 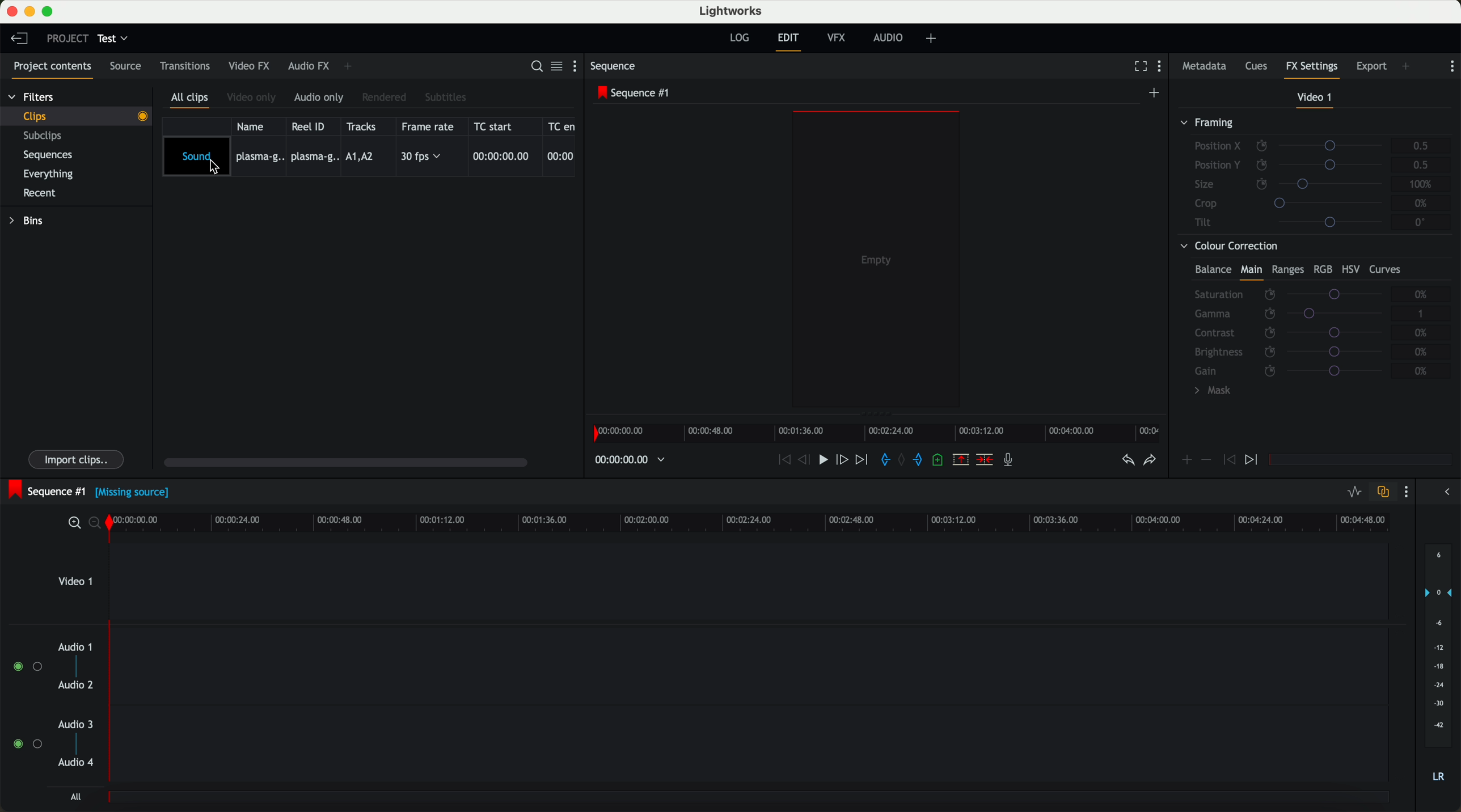 I want to click on jump to next keyframe, so click(x=1253, y=460).